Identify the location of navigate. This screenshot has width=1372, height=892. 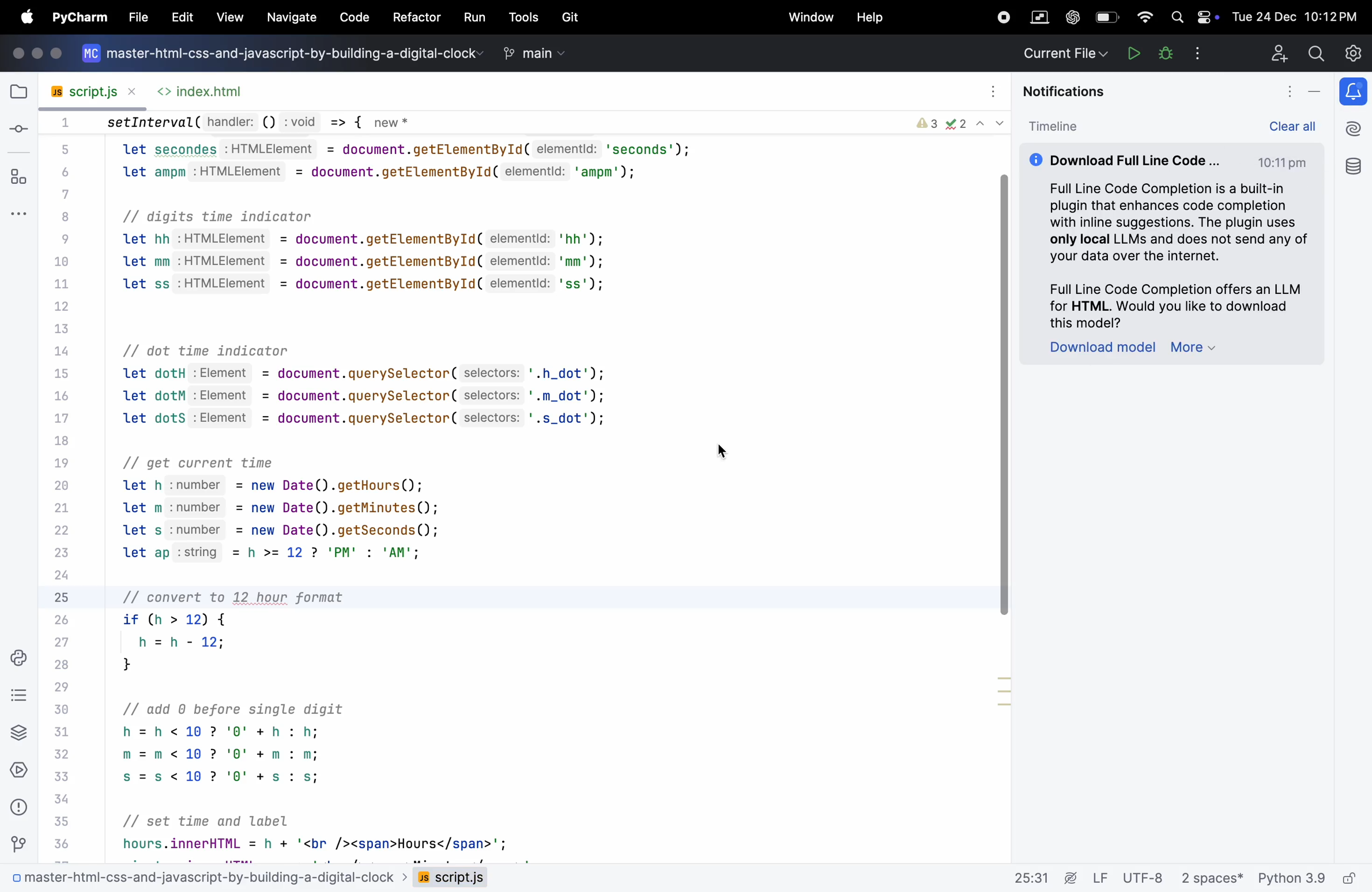
(288, 17).